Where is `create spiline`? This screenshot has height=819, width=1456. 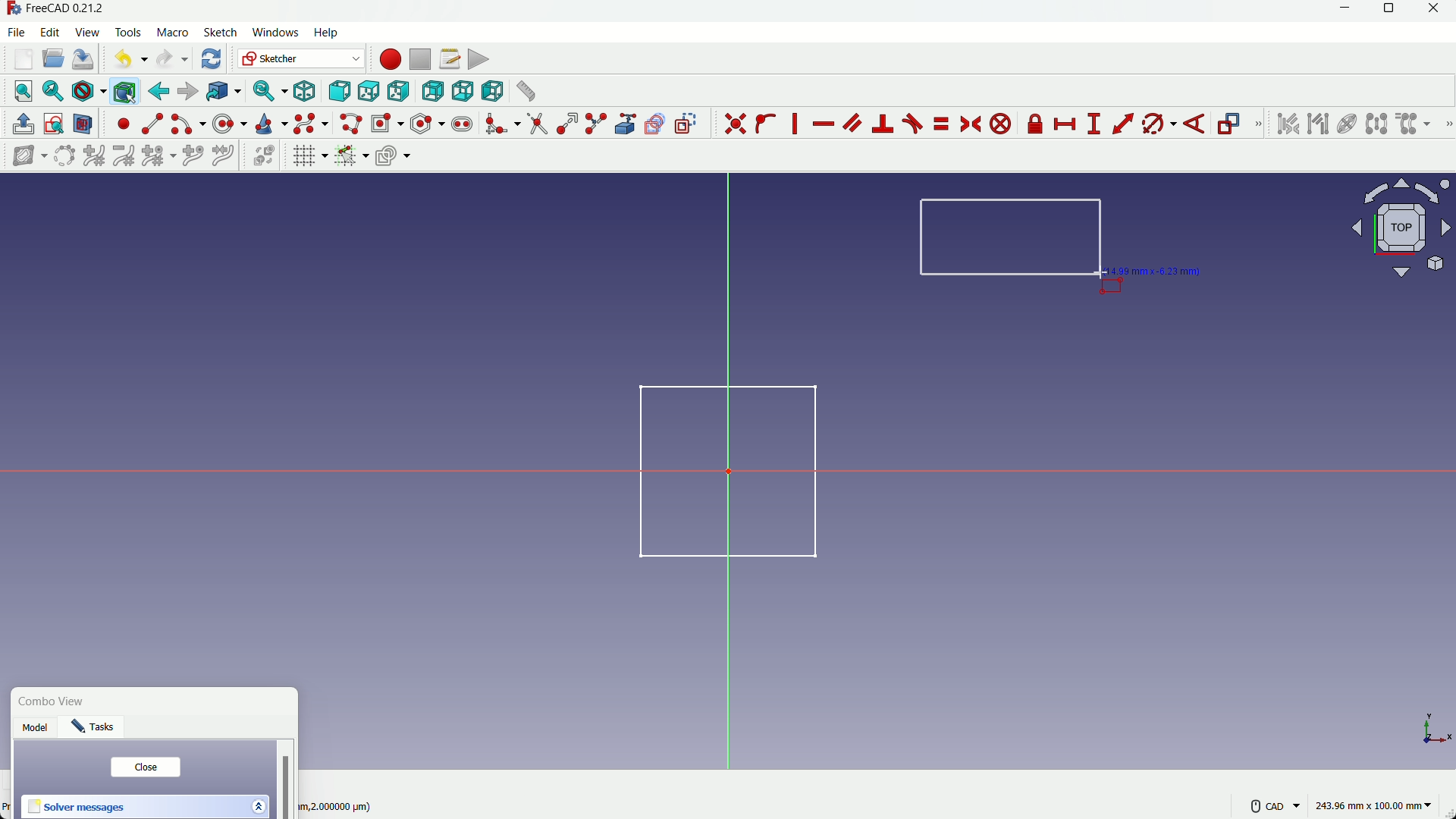 create spiline is located at coordinates (309, 123).